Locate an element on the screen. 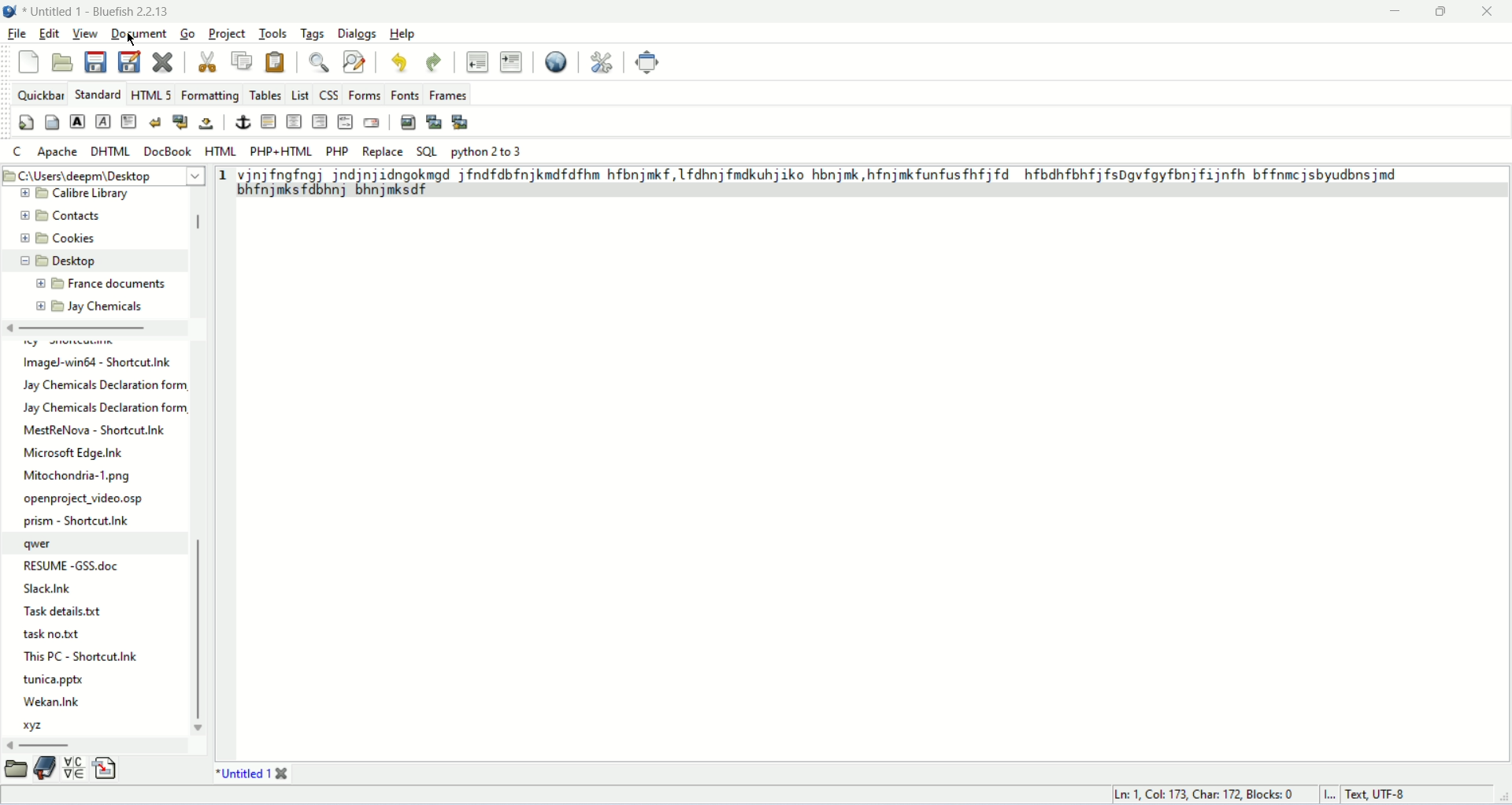 The height and width of the screenshot is (805, 1512). MestReNova - Shortcut.Ink is located at coordinates (98, 430).